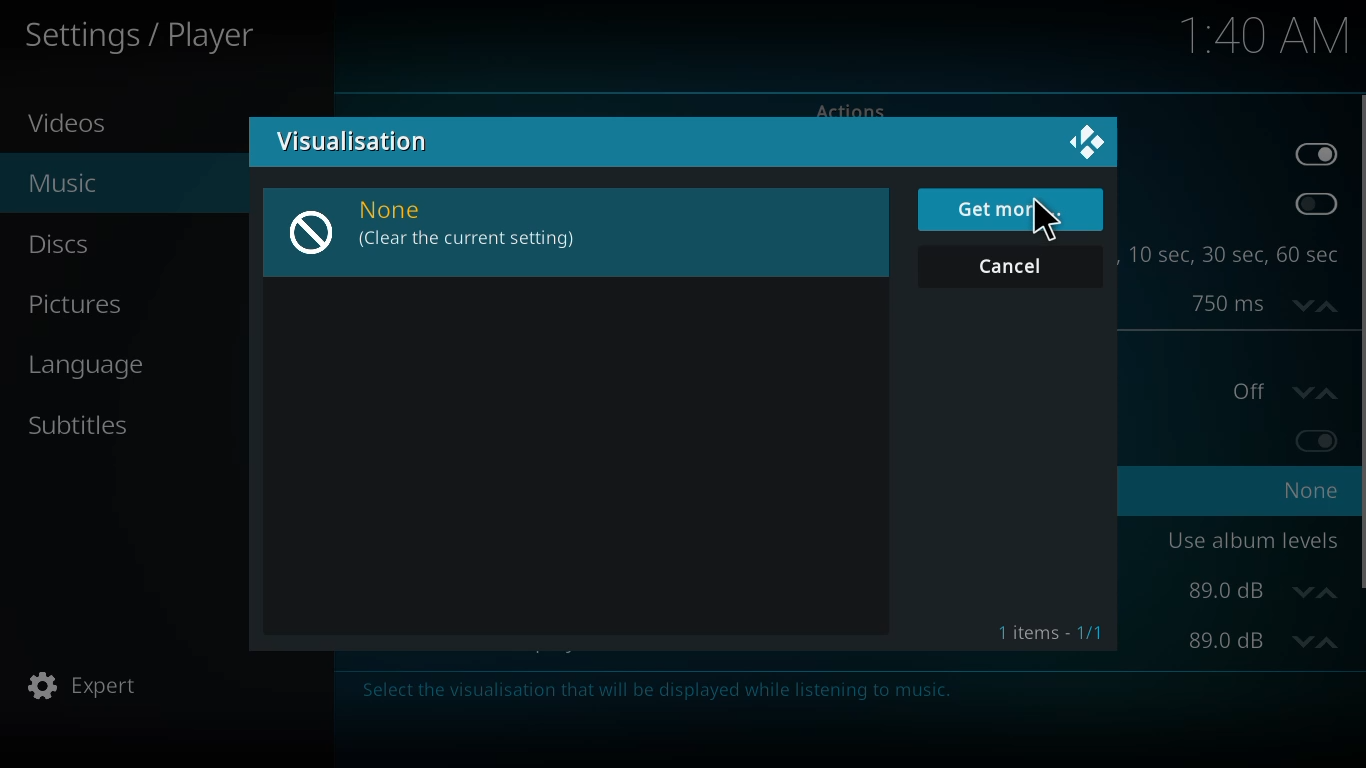  What do you see at coordinates (61, 180) in the screenshot?
I see `music` at bounding box center [61, 180].